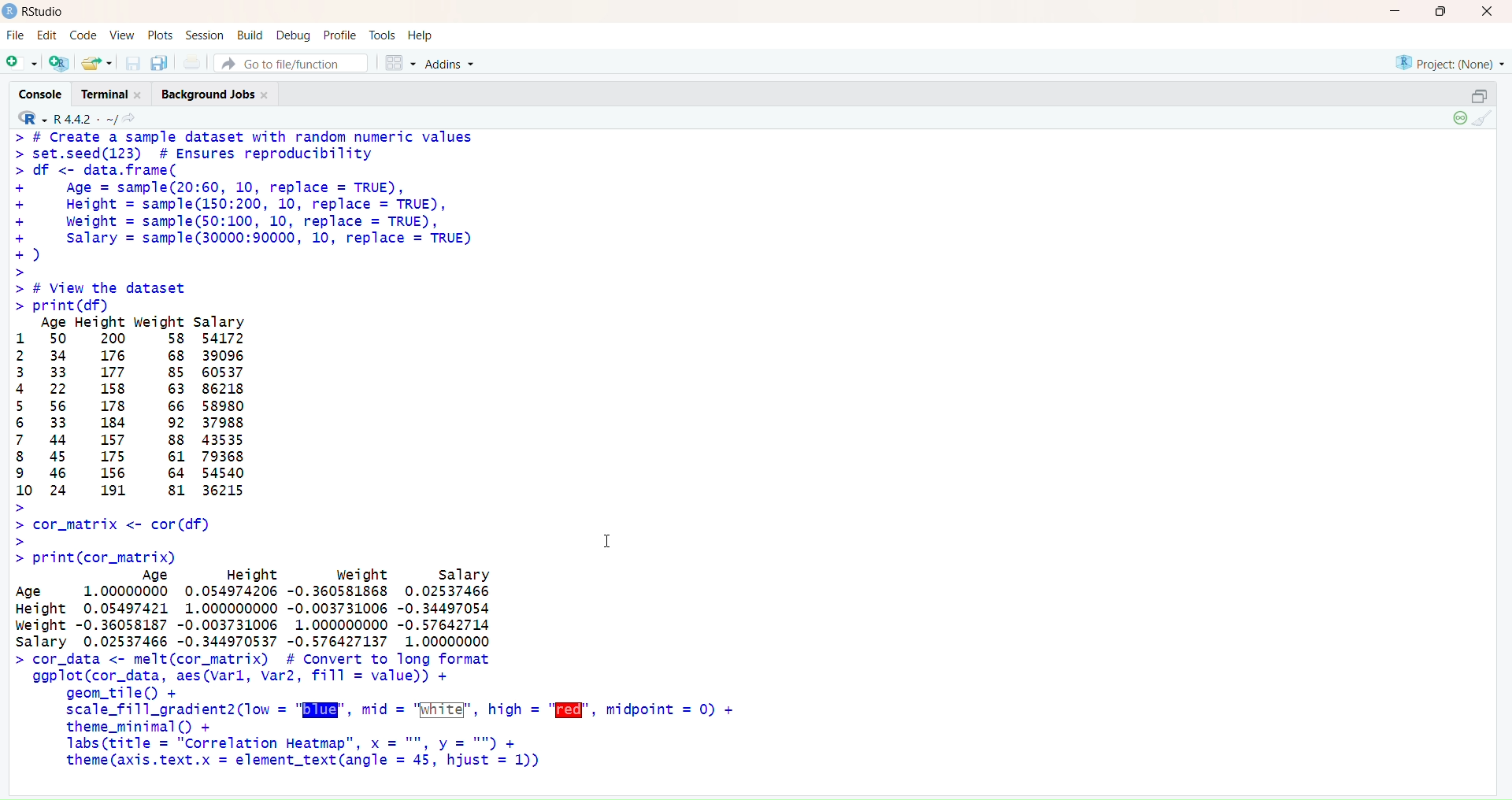 Image resolution: width=1512 pixels, height=800 pixels. What do you see at coordinates (206, 35) in the screenshot?
I see `Session` at bounding box center [206, 35].